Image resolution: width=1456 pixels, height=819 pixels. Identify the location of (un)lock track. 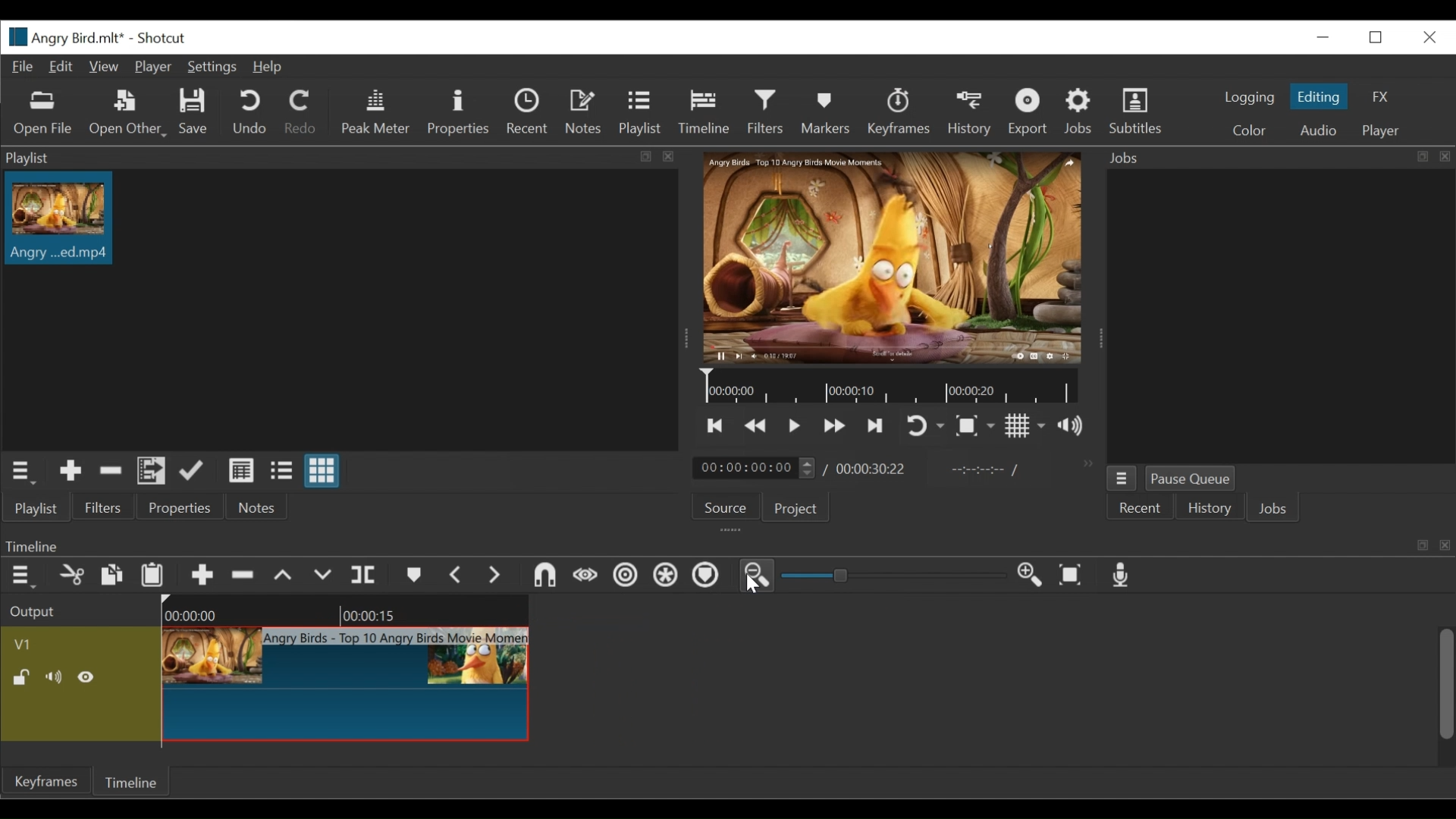
(21, 678).